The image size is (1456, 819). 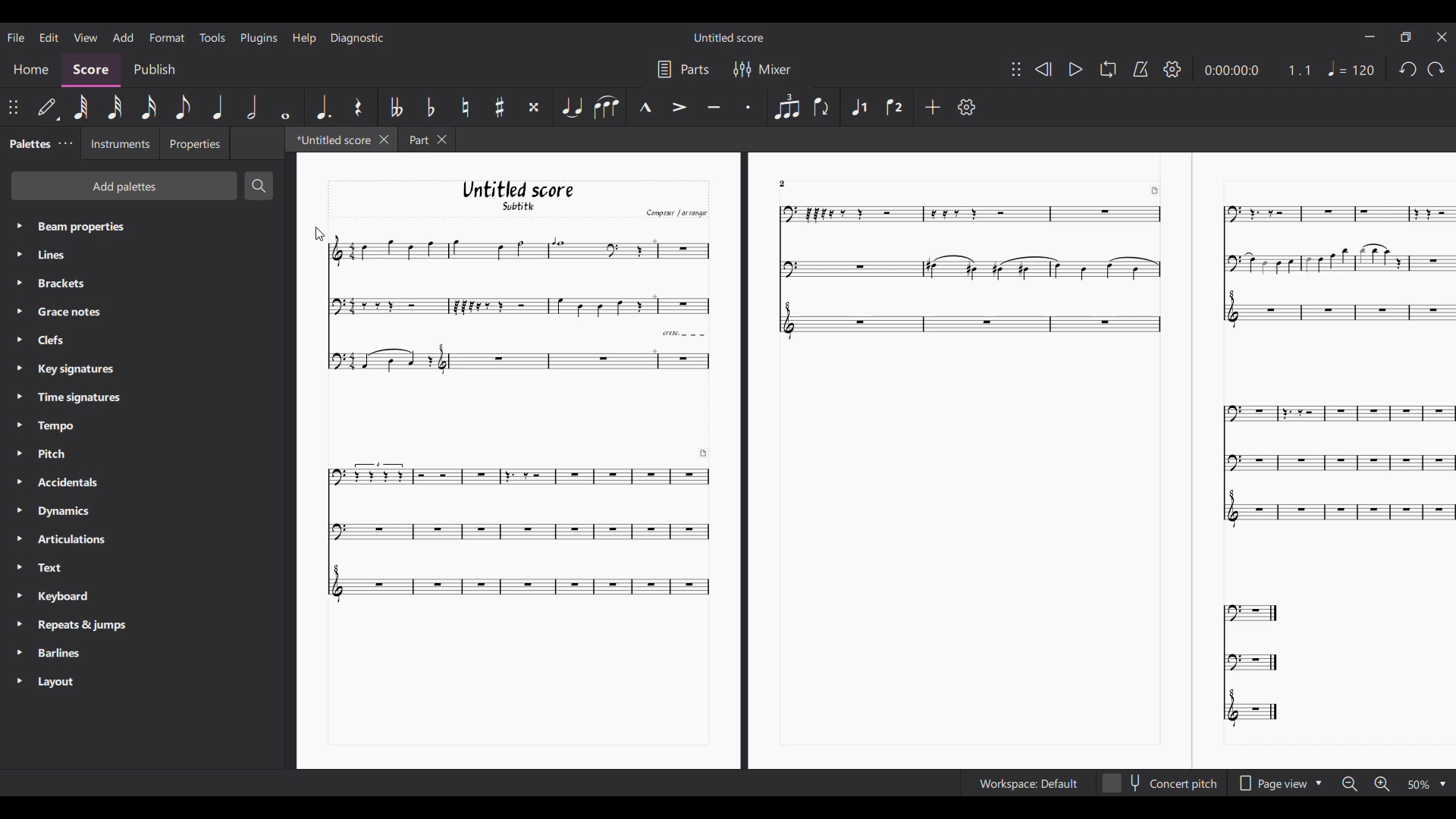 What do you see at coordinates (331, 139) in the screenshot?
I see `Current tab` at bounding box center [331, 139].